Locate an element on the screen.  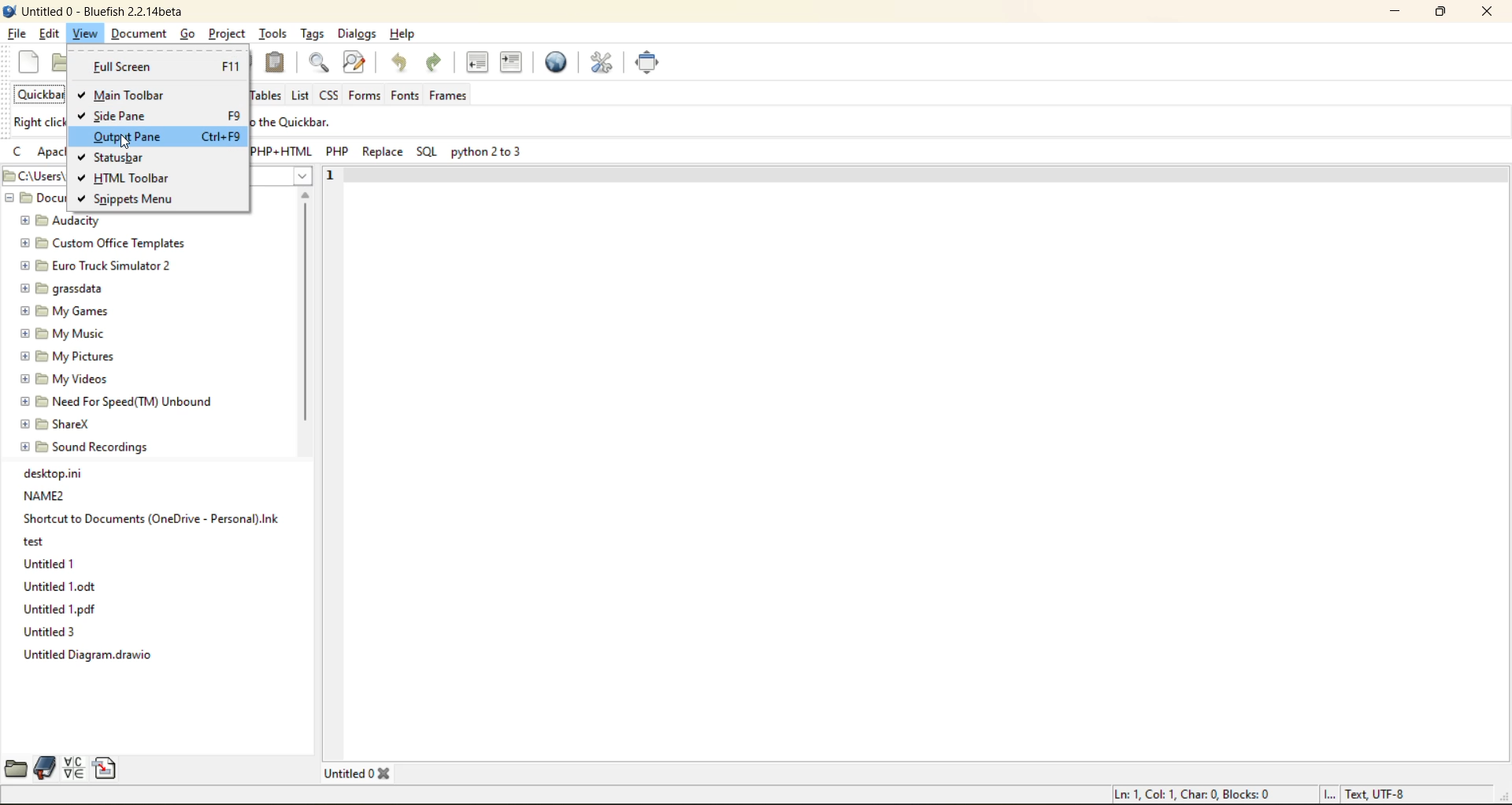
Untitled 1.pdf is located at coordinates (62, 609).